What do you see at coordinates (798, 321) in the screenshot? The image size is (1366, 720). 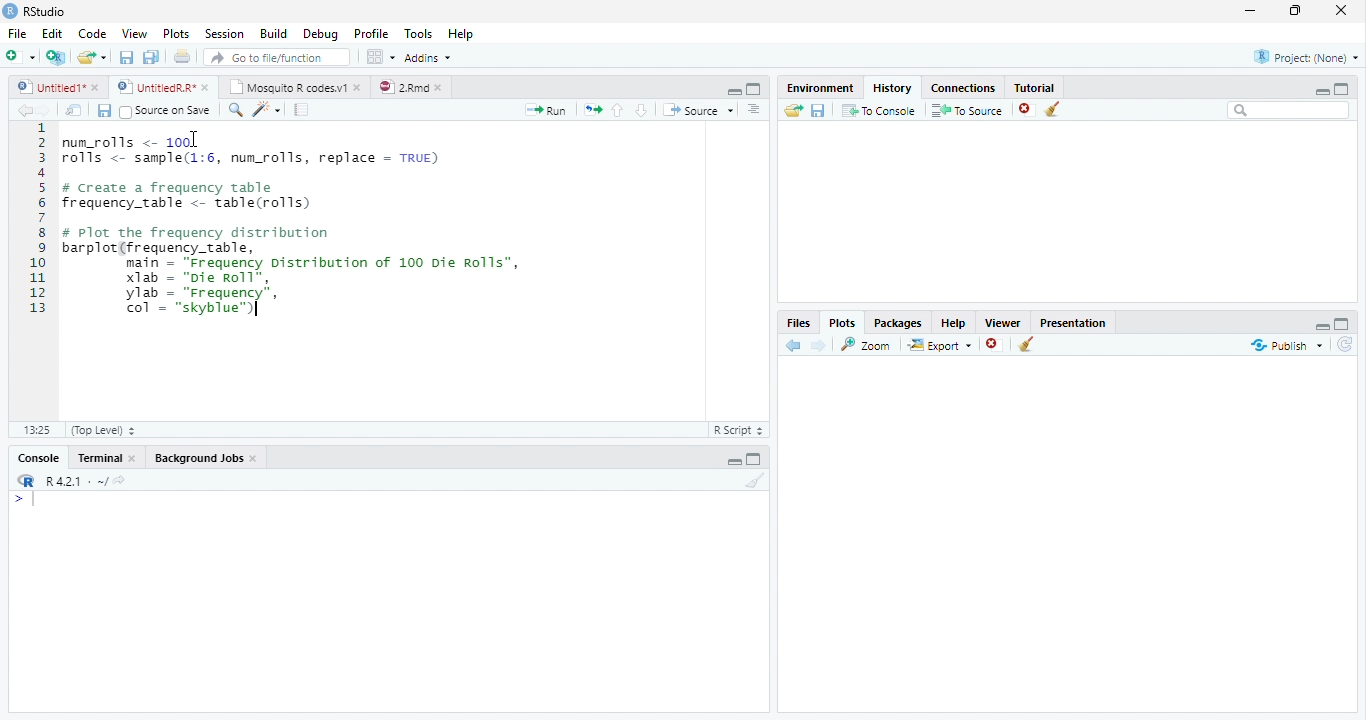 I see `Files` at bounding box center [798, 321].